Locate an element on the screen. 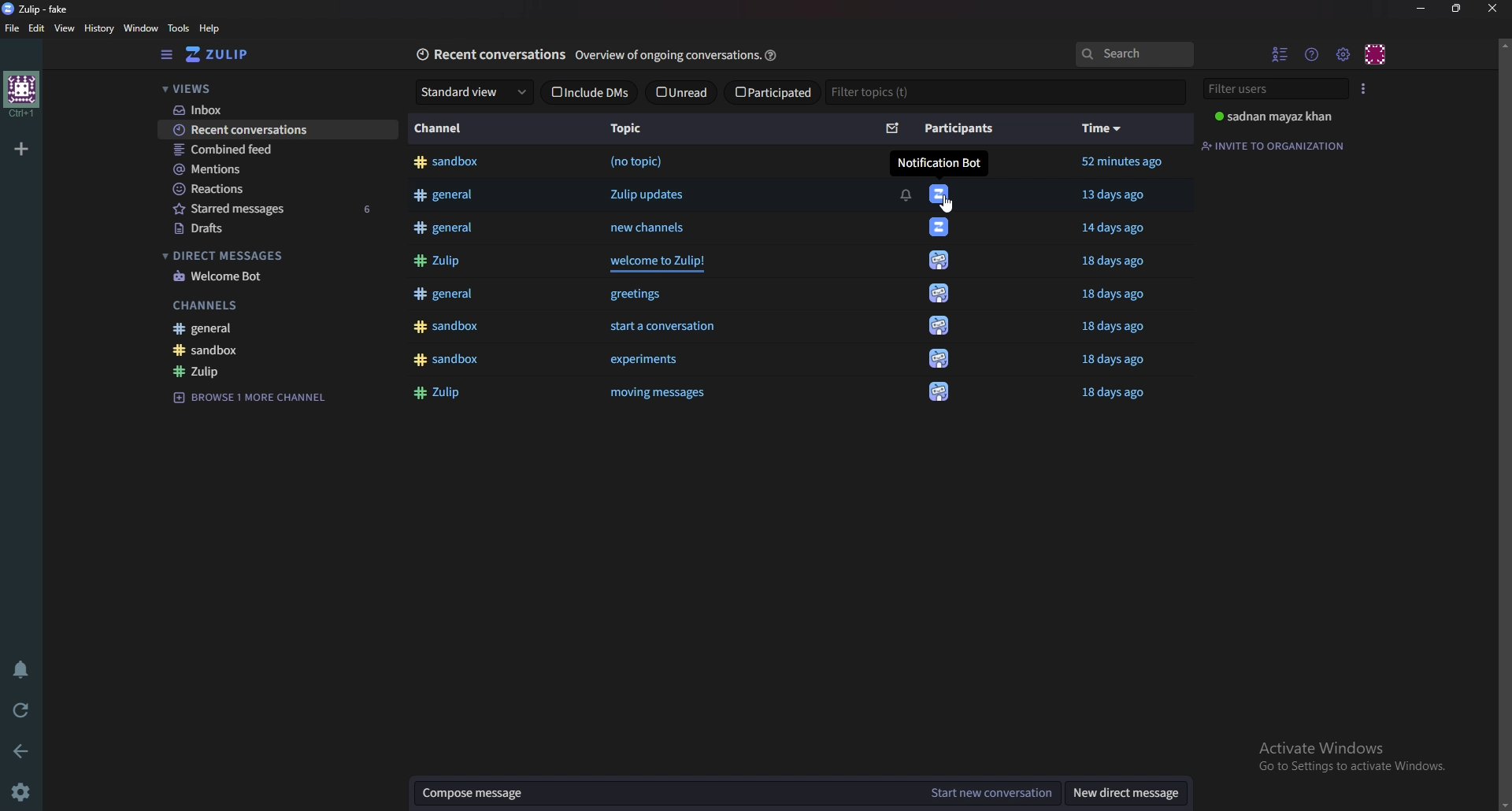 This screenshot has height=811, width=1512. Main menu is located at coordinates (1340, 54).